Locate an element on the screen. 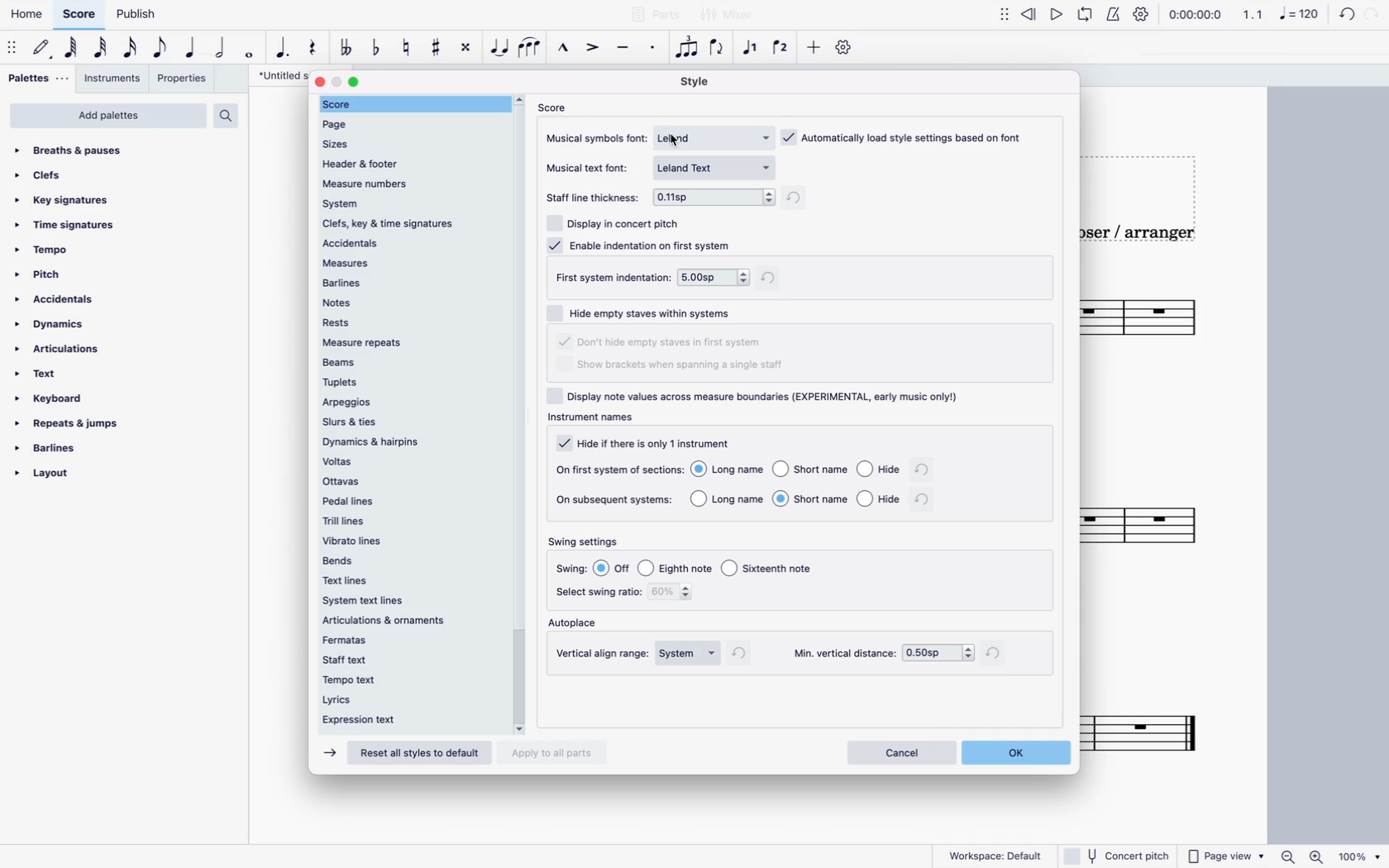 The height and width of the screenshot is (868, 1389). tuplet is located at coordinates (689, 51).